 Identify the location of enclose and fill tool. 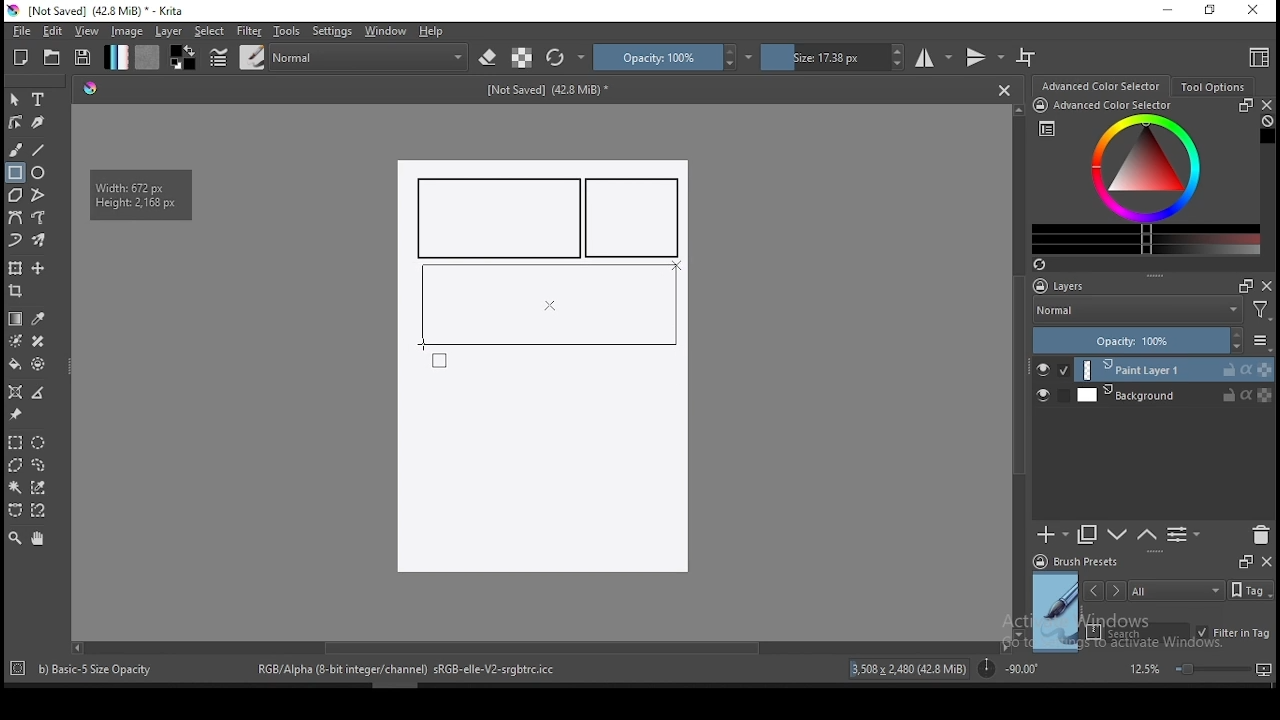
(38, 364).